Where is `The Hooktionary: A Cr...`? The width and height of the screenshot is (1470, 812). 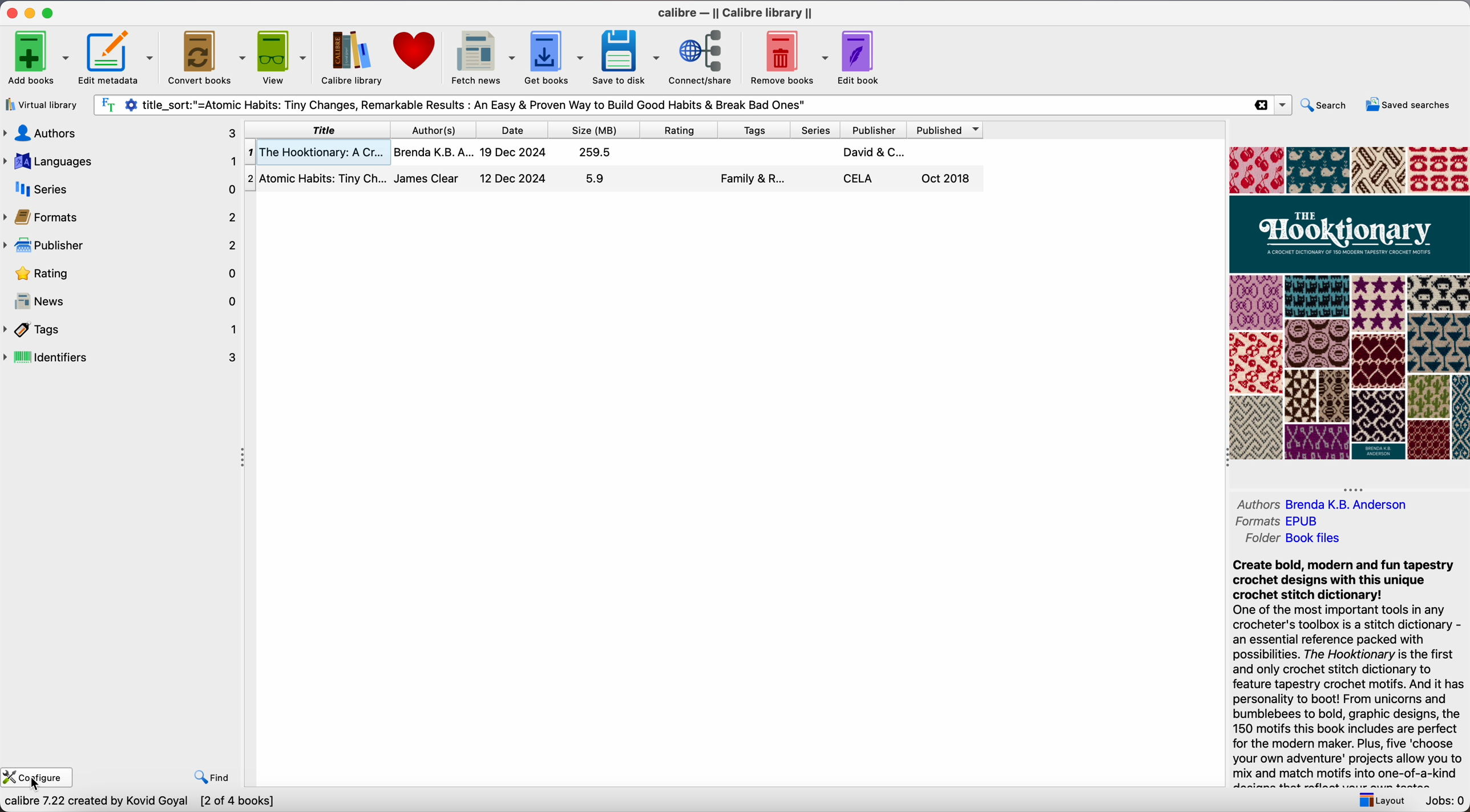 The Hooktionary: A Cr... is located at coordinates (318, 151).